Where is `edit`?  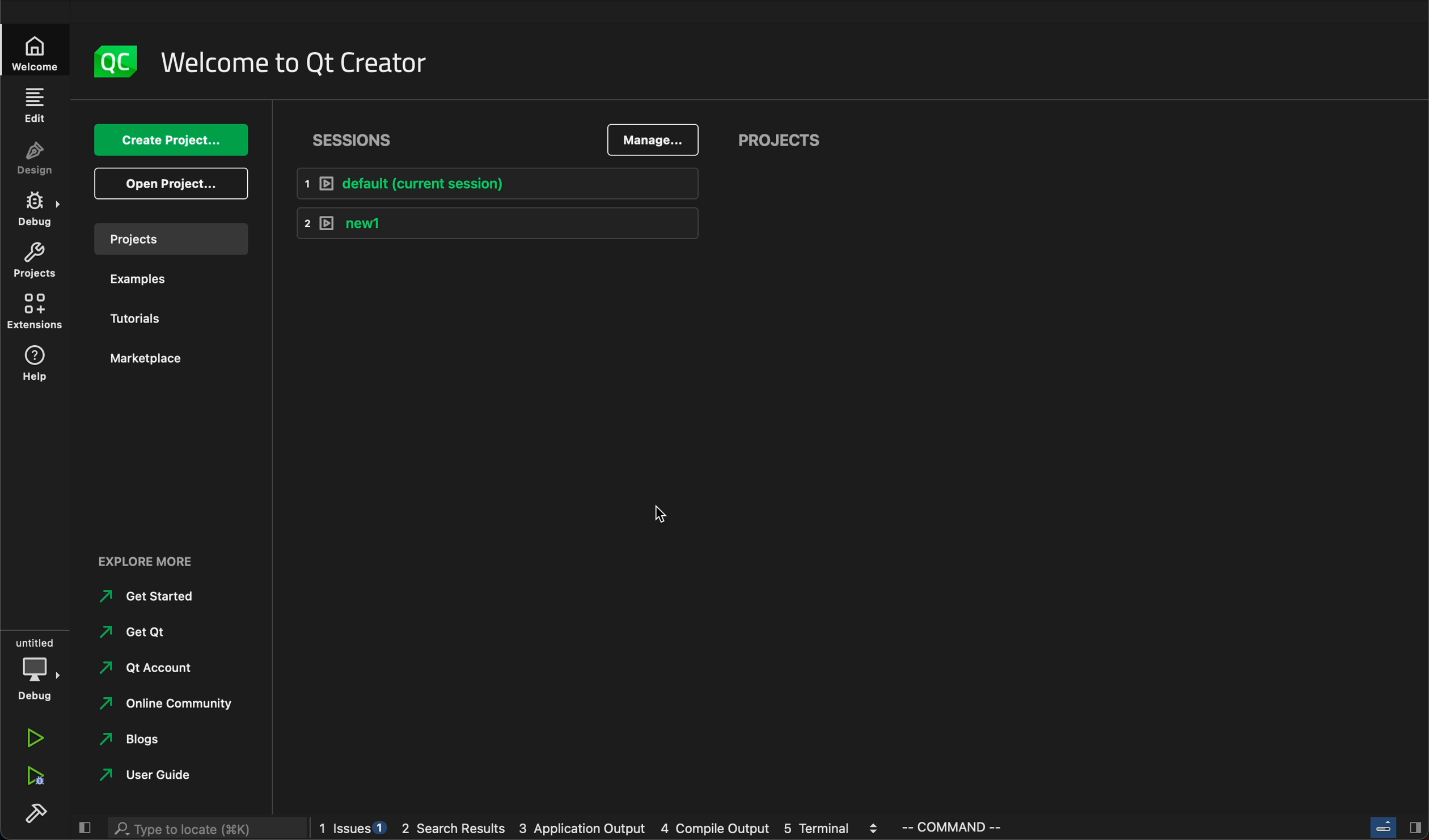
edit is located at coordinates (36, 104).